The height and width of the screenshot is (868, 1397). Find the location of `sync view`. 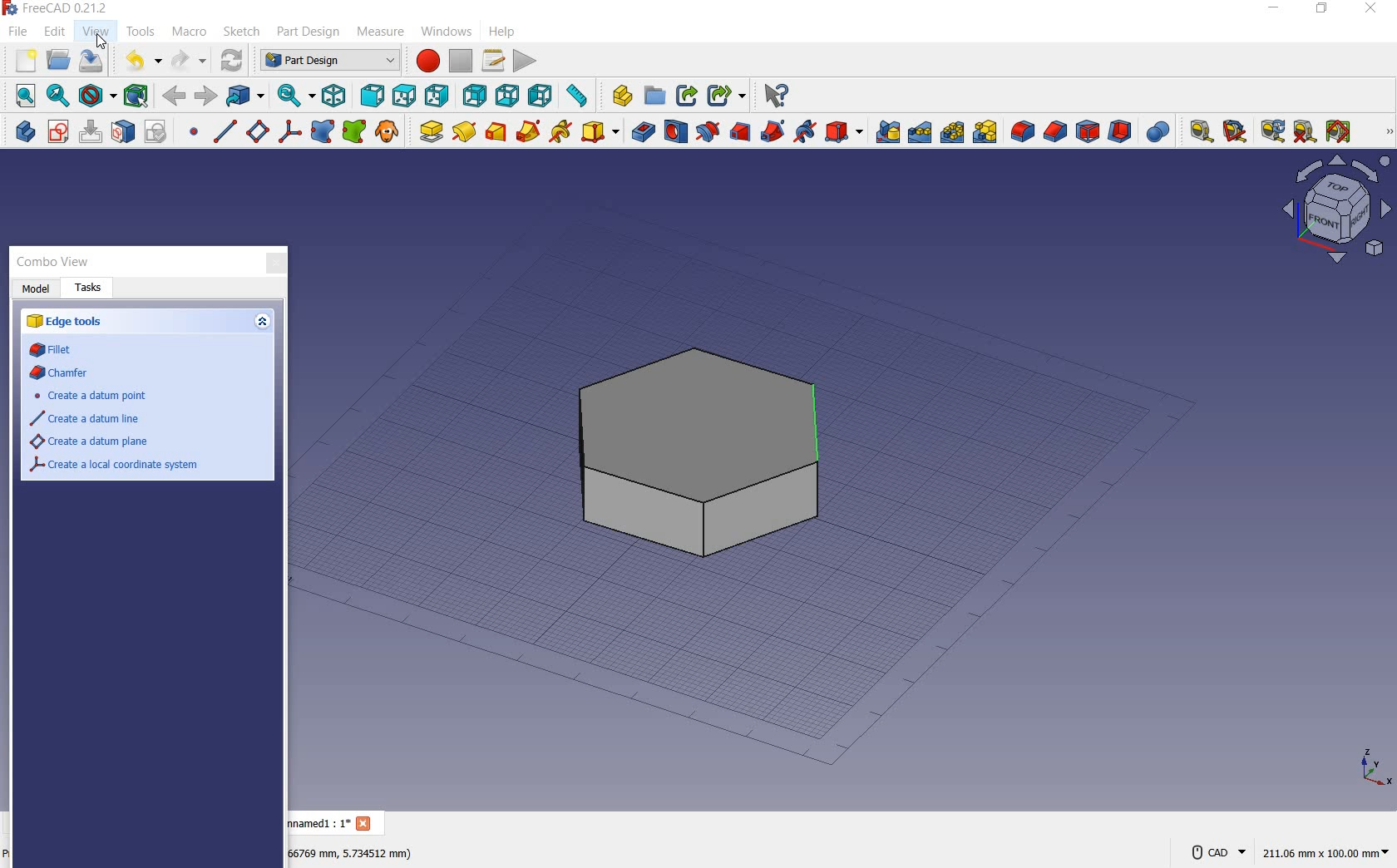

sync view is located at coordinates (294, 95).